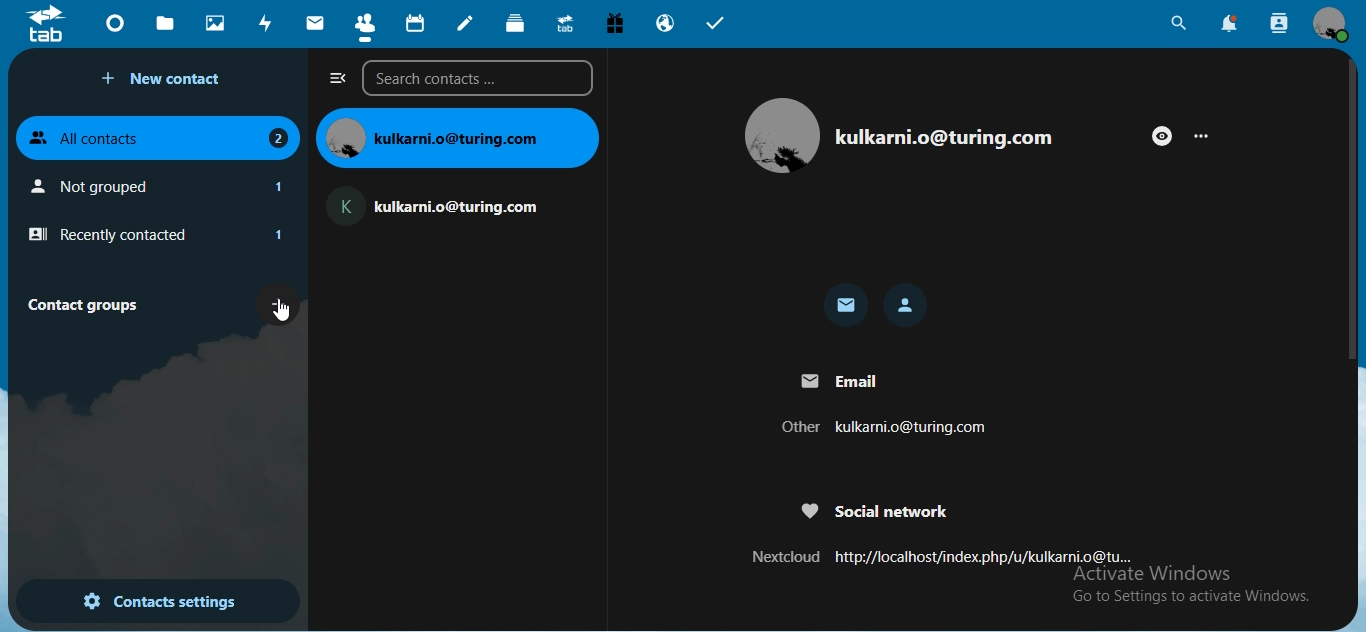 The height and width of the screenshot is (632, 1366). What do you see at coordinates (907, 305) in the screenshot?
I see `contact` at bounding box center [907, 305].